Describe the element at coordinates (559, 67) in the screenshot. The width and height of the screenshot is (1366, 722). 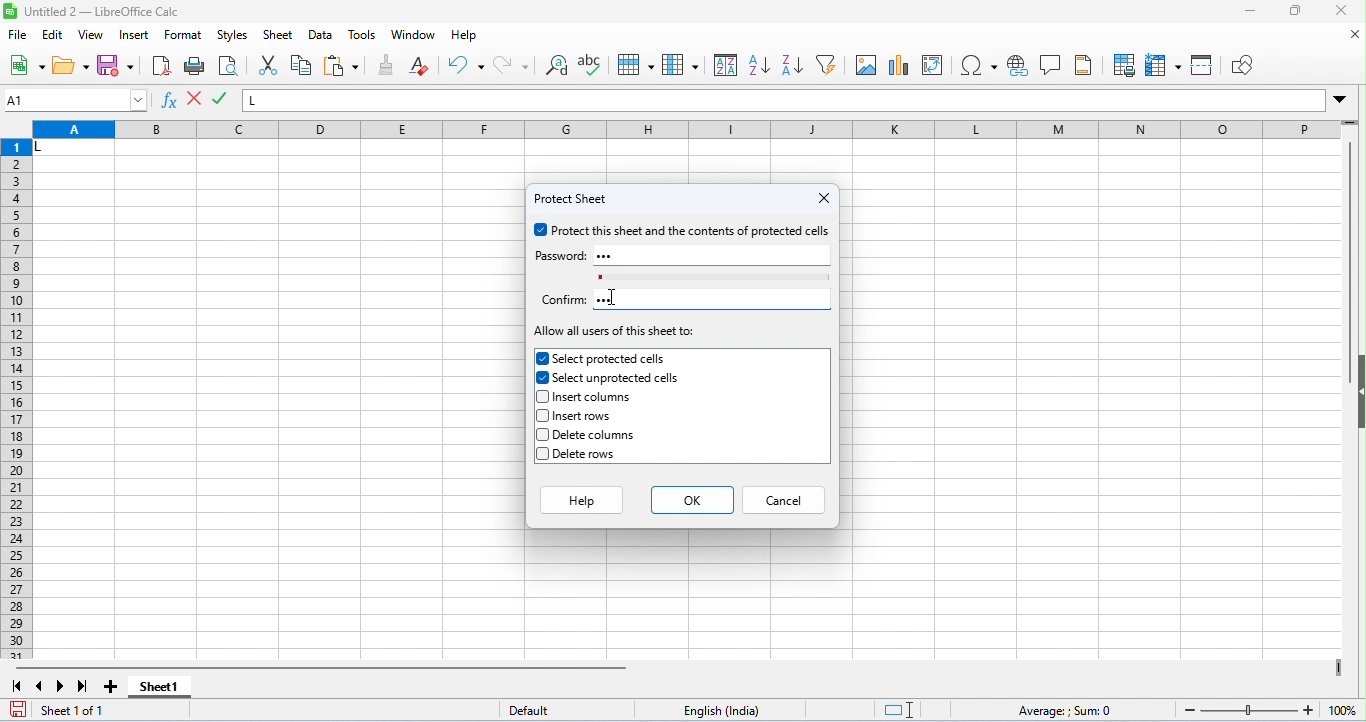
I see `find and replace` at that location.